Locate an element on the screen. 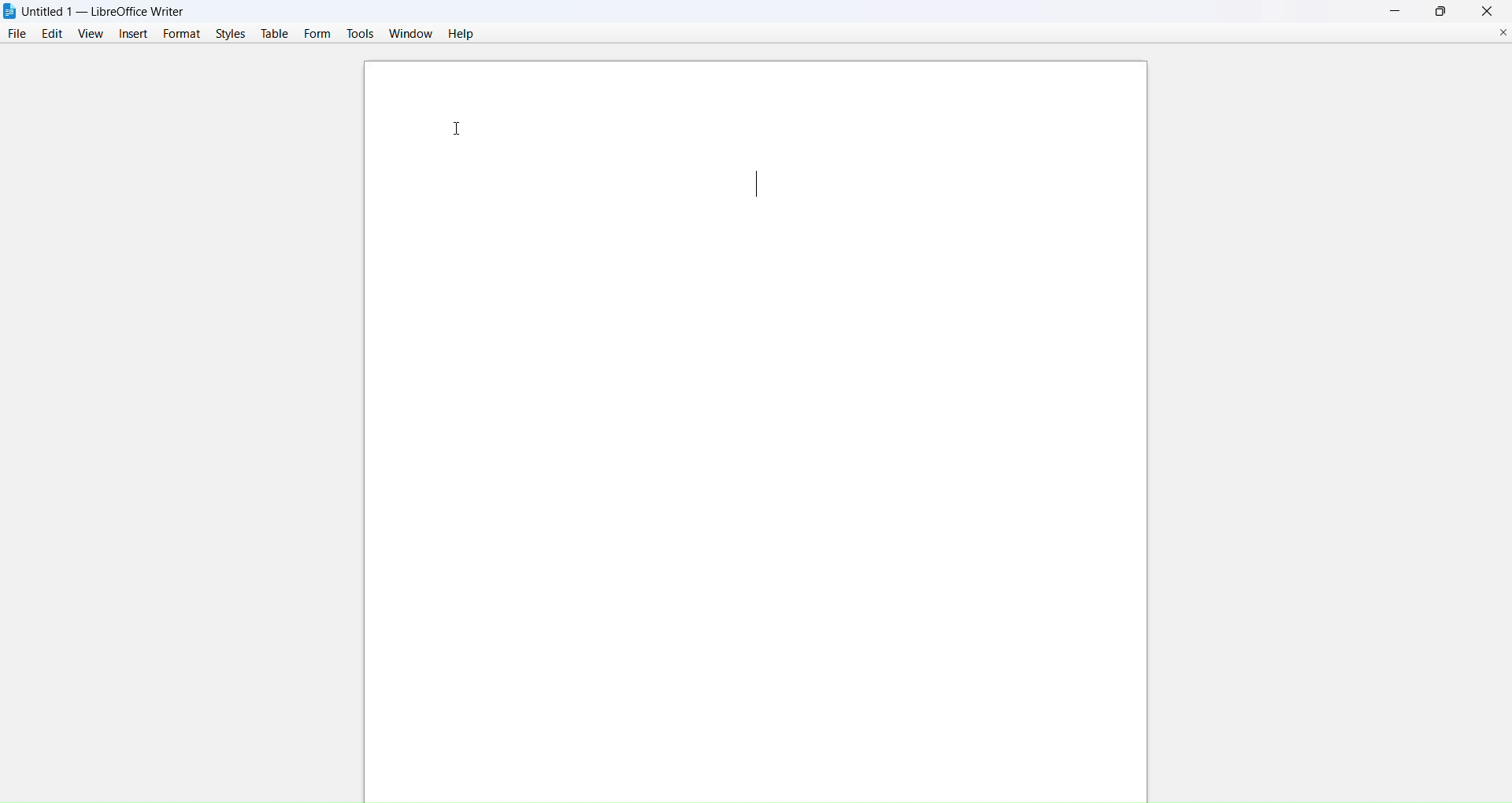 This screenshot has height=803, width=1512. edit is located at coordinates (54, 33).